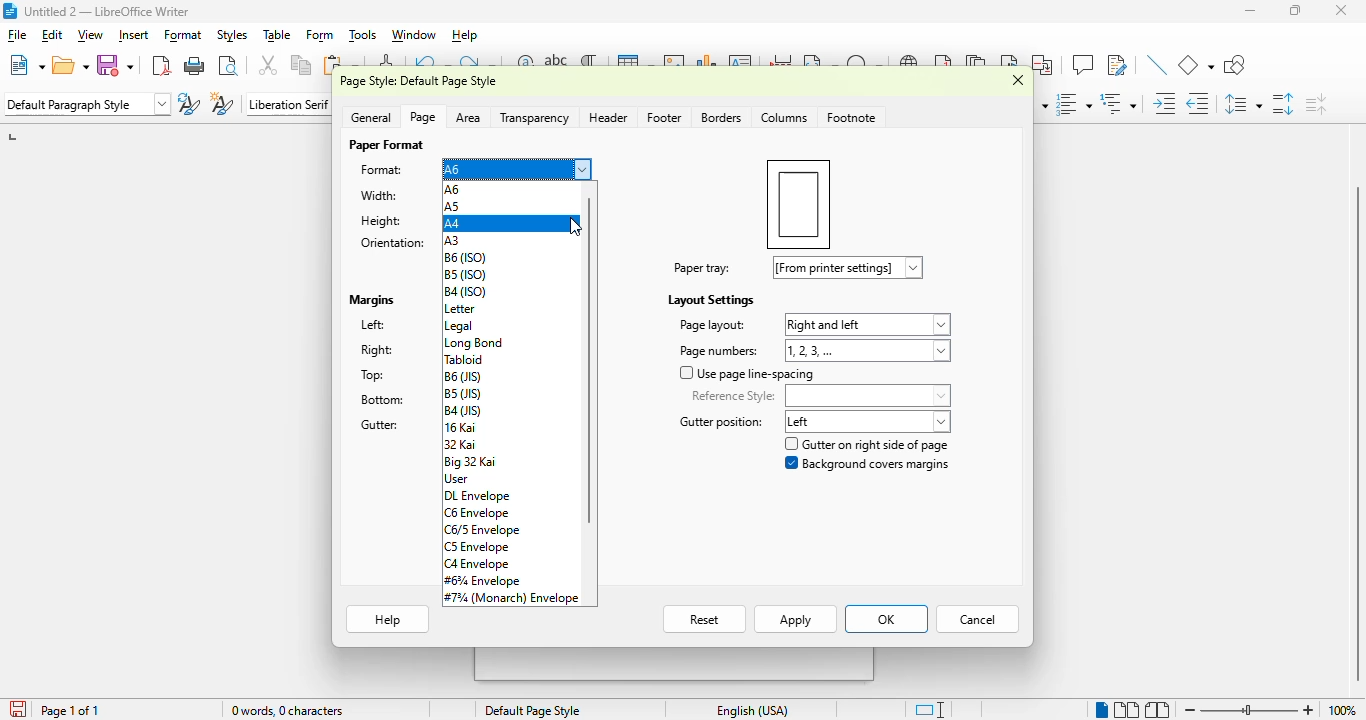 The width and height of the screenshot is (1366, 720). What do you see at coordinates (590, 358) in the screenshot?
I see `vertical scroll bar` at bounding box center [590, 358].